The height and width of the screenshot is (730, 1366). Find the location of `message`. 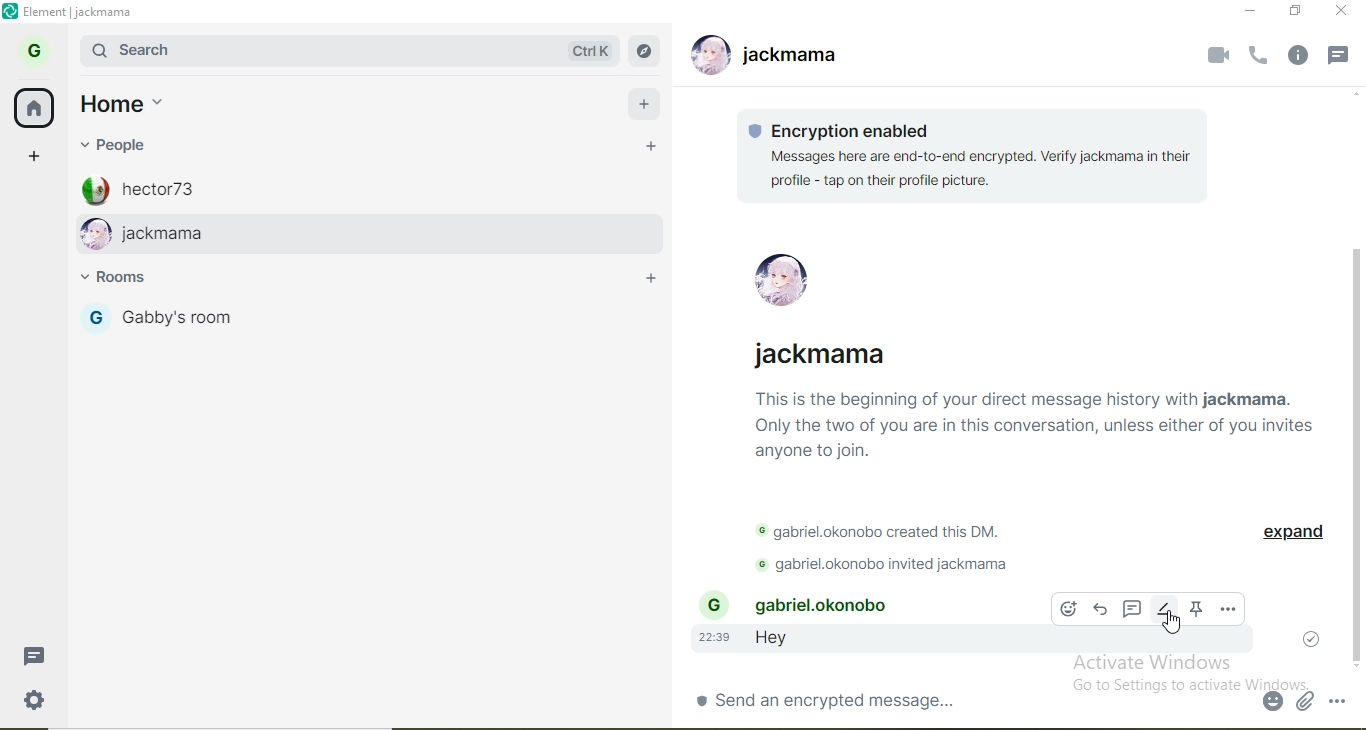

message is located at coordinates (1339, 57).